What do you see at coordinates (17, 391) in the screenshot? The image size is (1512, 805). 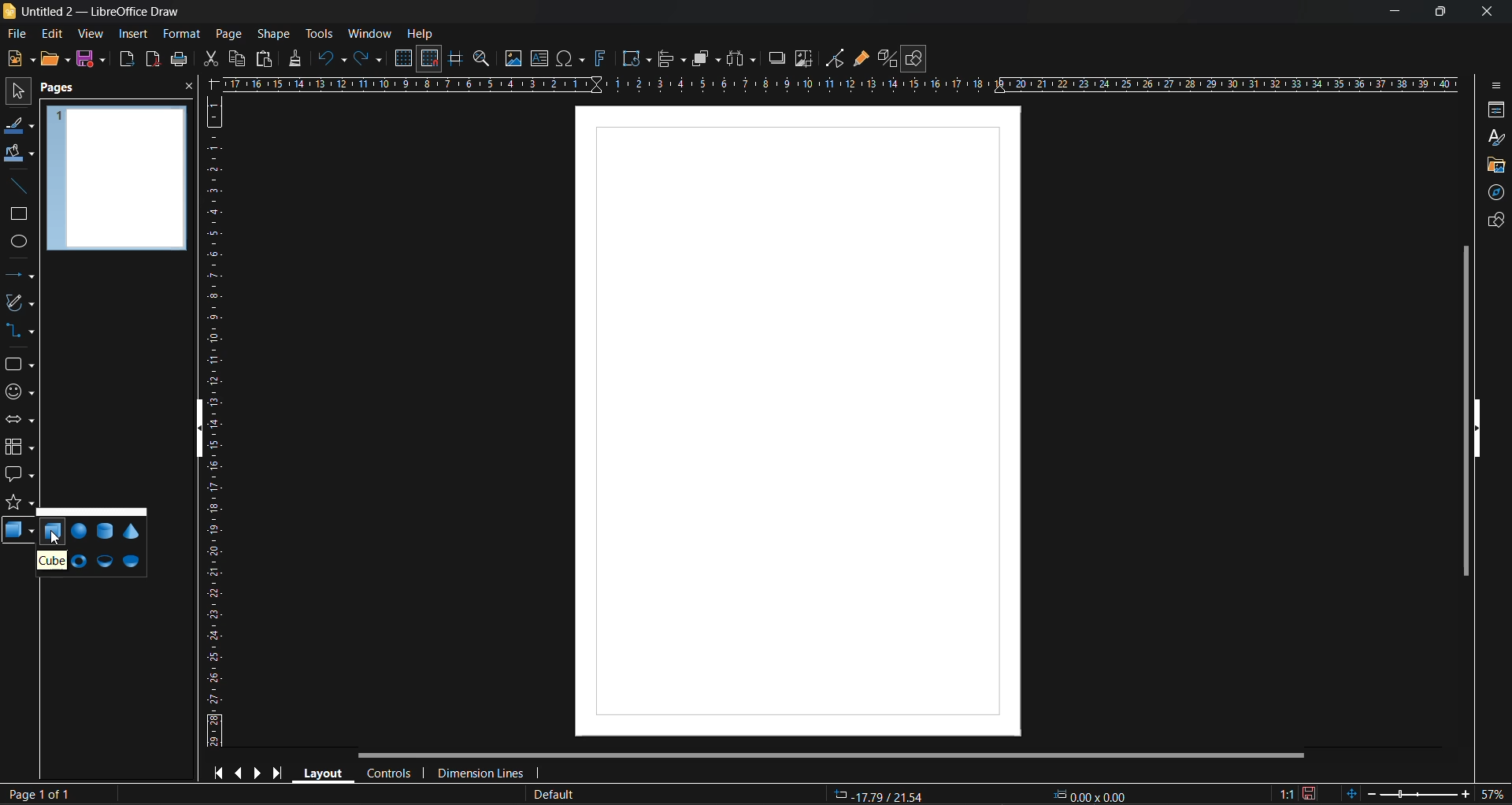 I see `symbols` at bounding box center [17, 391].